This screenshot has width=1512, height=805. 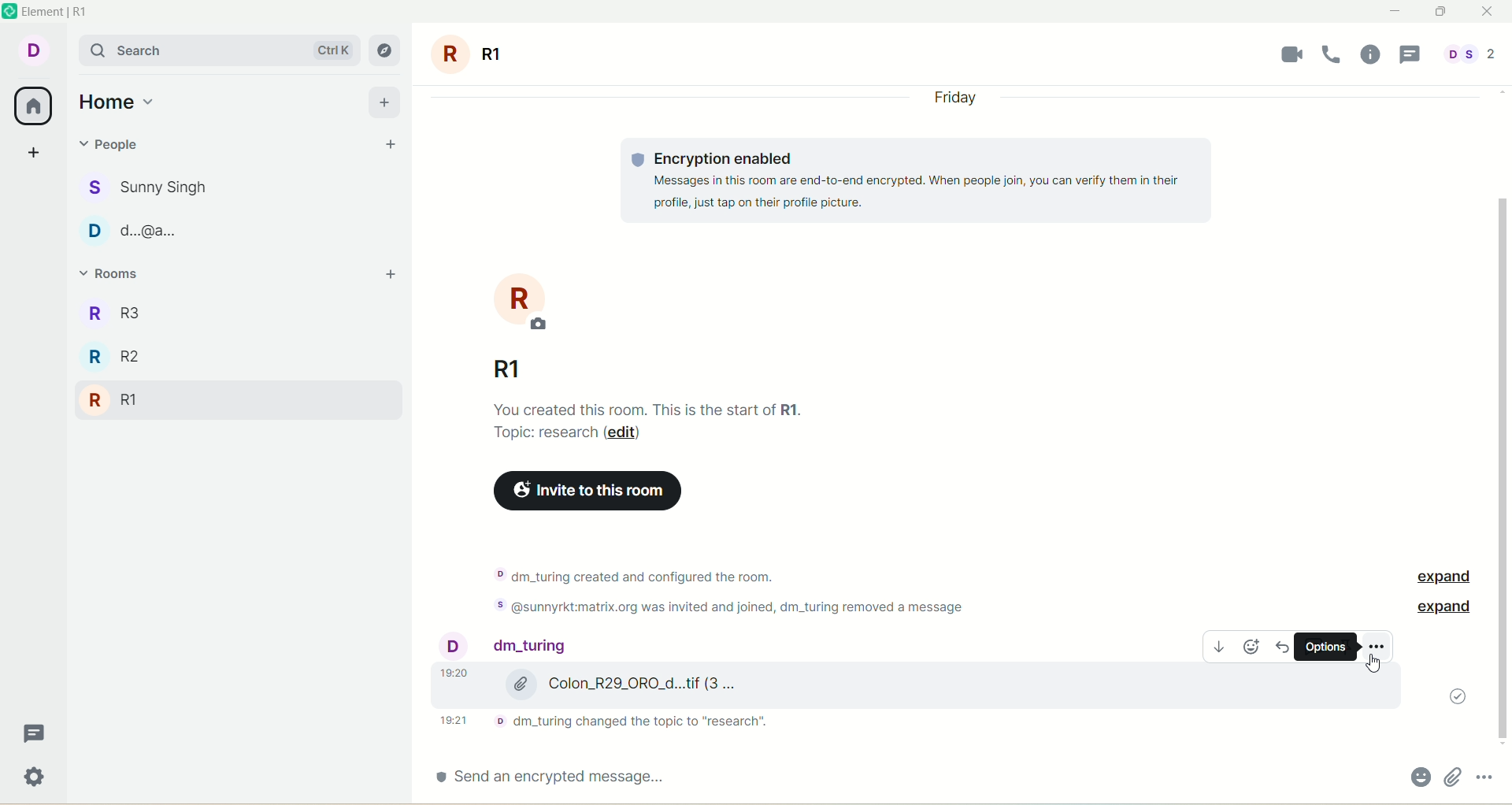 I want to click on text, so click(x=650, y=418).